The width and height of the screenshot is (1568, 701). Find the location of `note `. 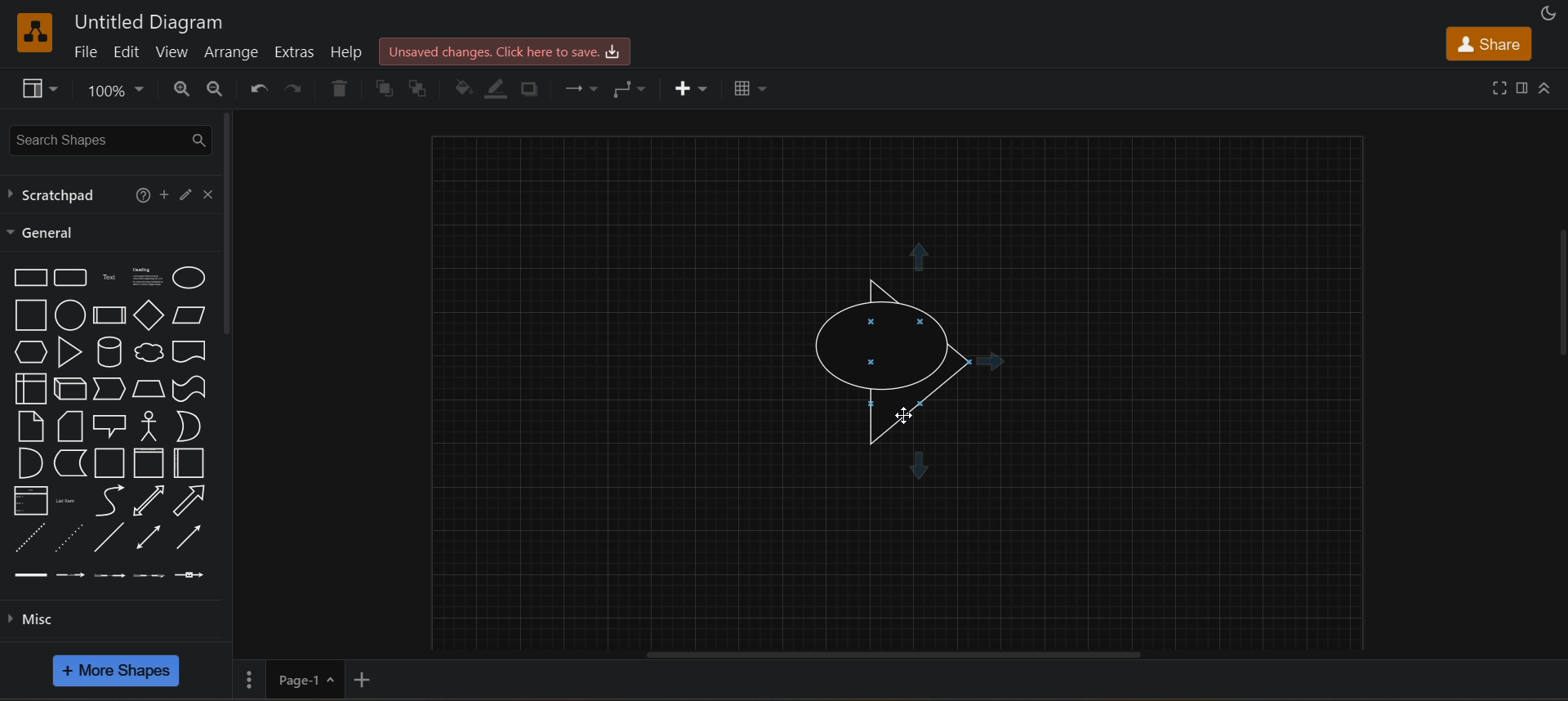

note  is located at coordinates (32, 426).